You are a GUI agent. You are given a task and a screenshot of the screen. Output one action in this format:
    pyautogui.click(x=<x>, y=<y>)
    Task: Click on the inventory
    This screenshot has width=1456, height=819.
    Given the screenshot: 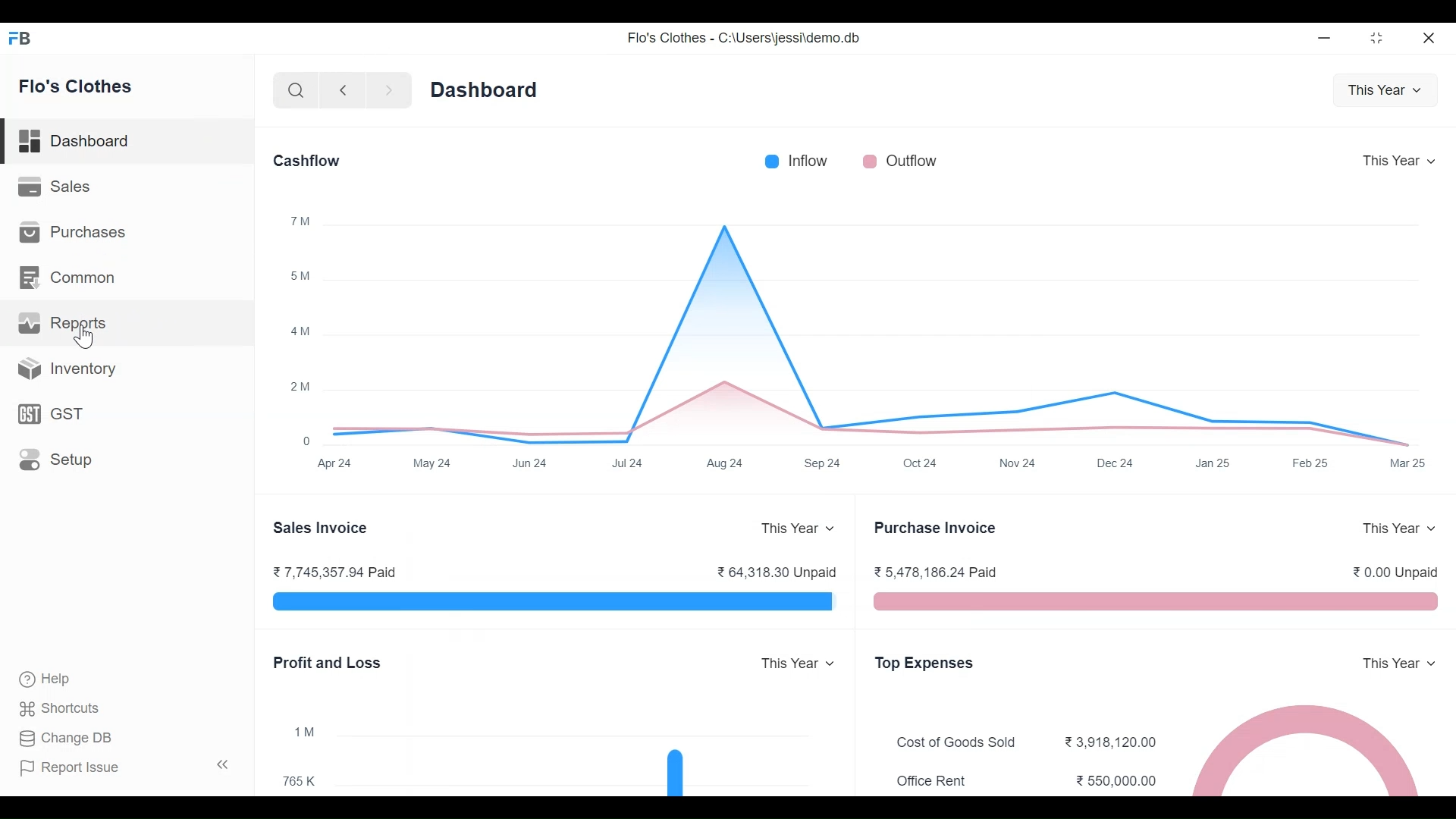 What is the action you would take?
    pyautogui.click(x=68, y=369)
    